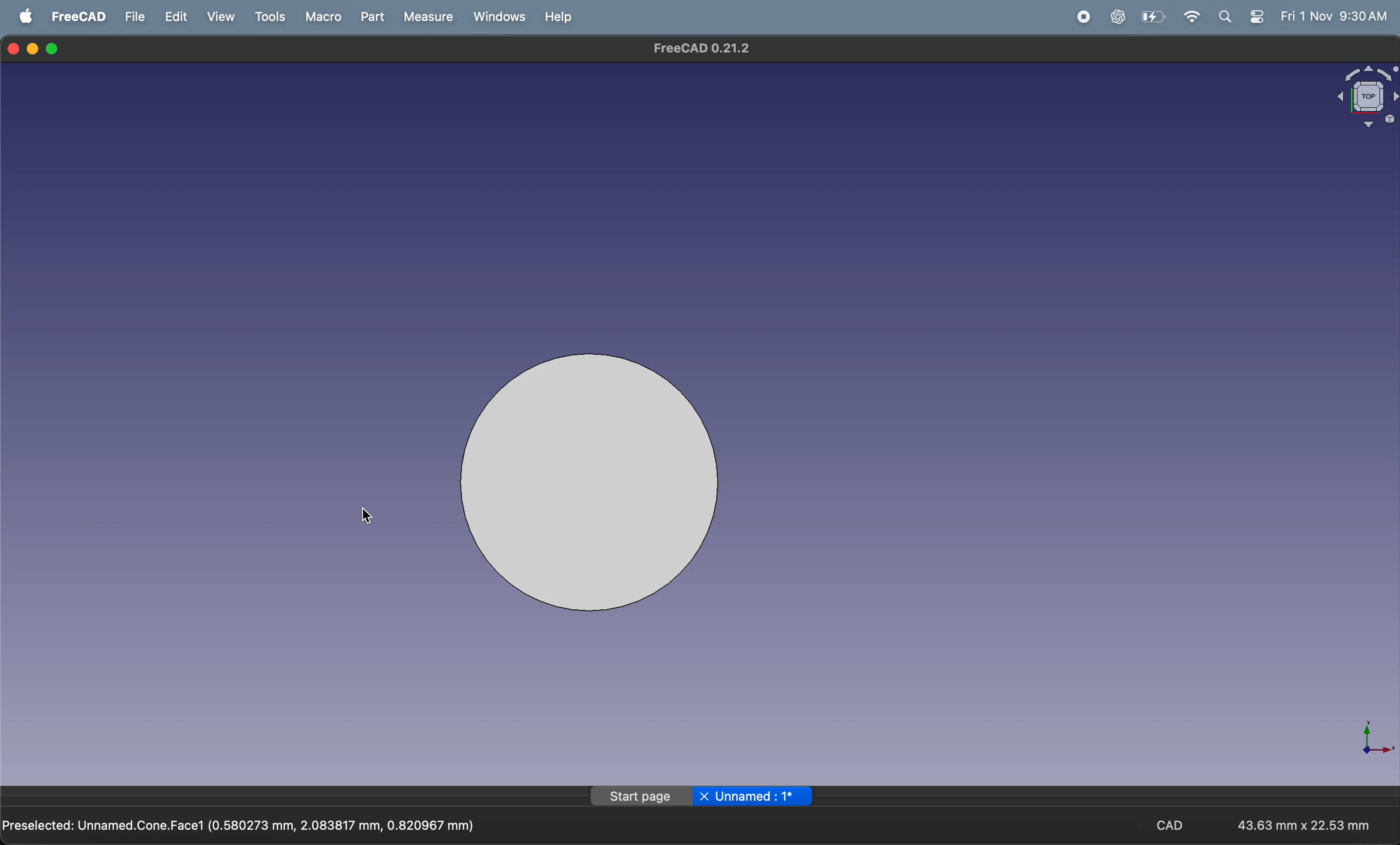 This screenshot has width=1400, height=845. What do you see at coordinates (368, 516) in the screenshot?
I see `cursor` at bounding box center [368, 516].